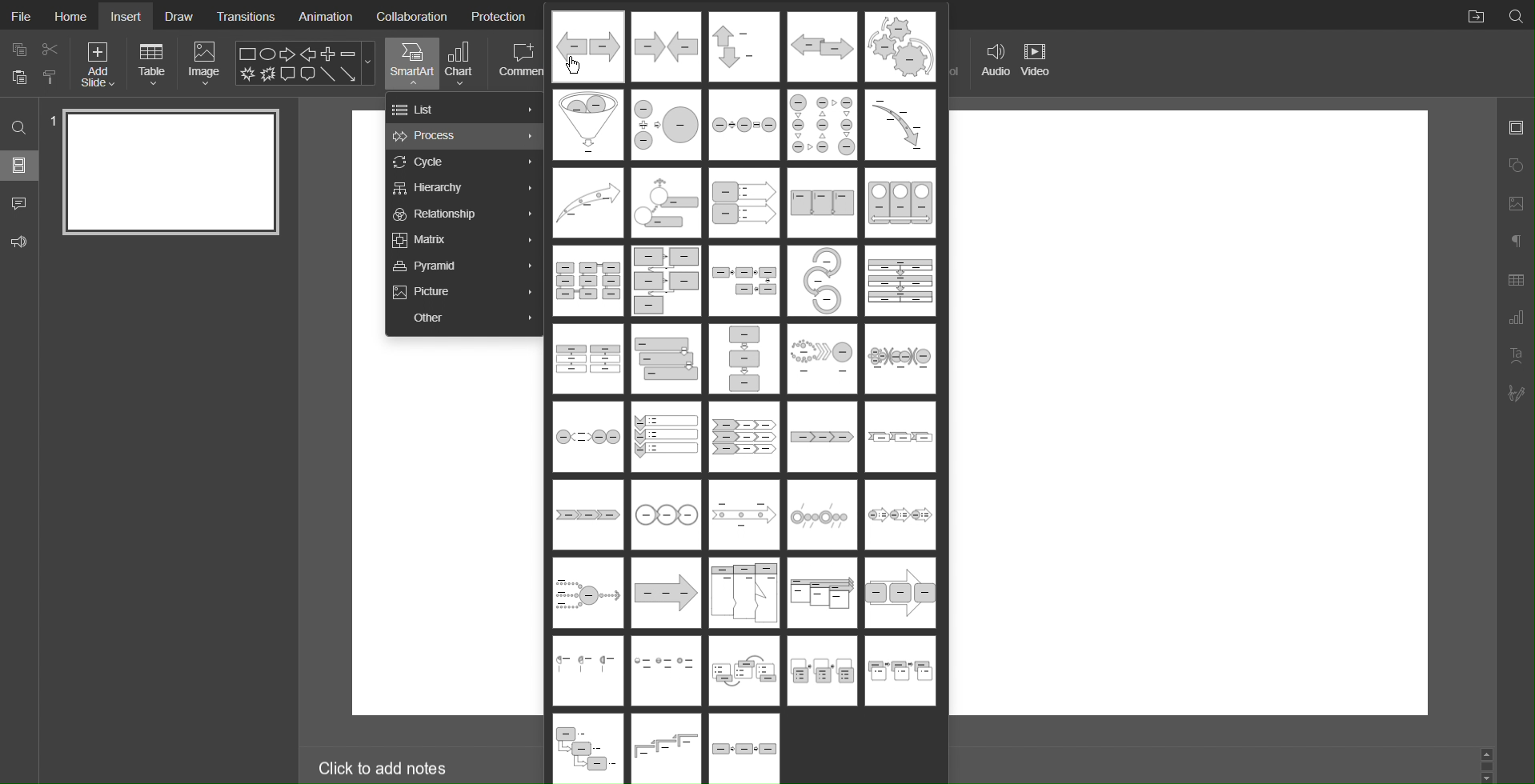  Describe the element at coordinates (19, 202) in the screenshot. I see `Comments` at that location.